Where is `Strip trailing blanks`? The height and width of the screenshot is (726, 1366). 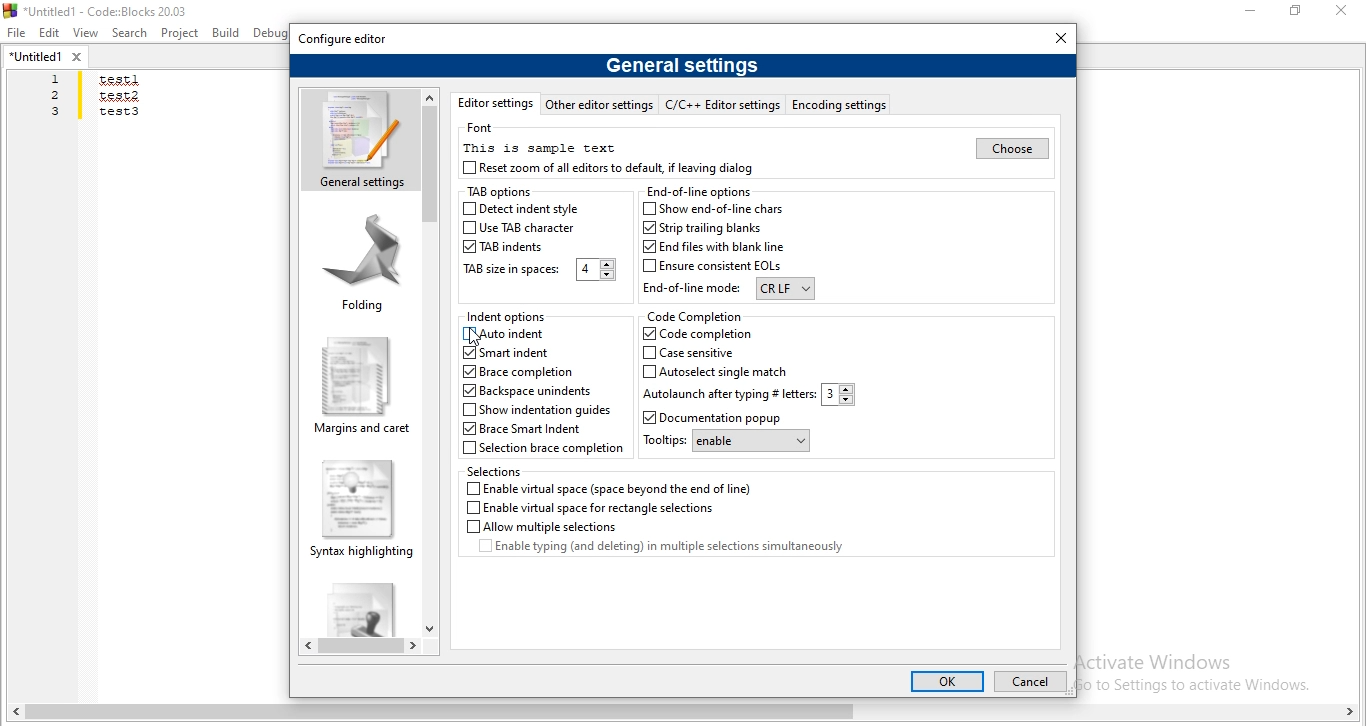
Strip trailing blanks is located at coordinates (701, 228).